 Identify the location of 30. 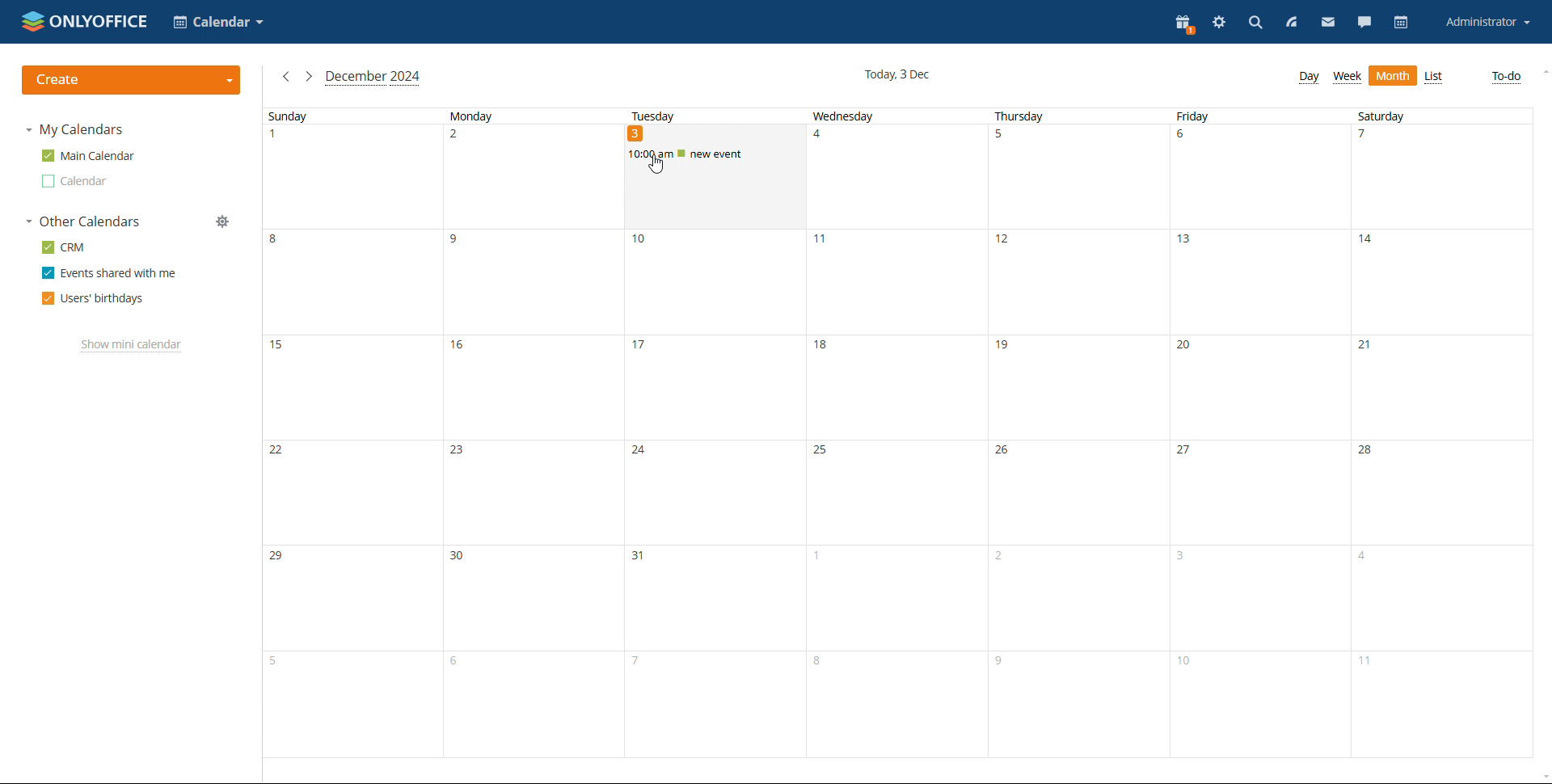
(531, 599).